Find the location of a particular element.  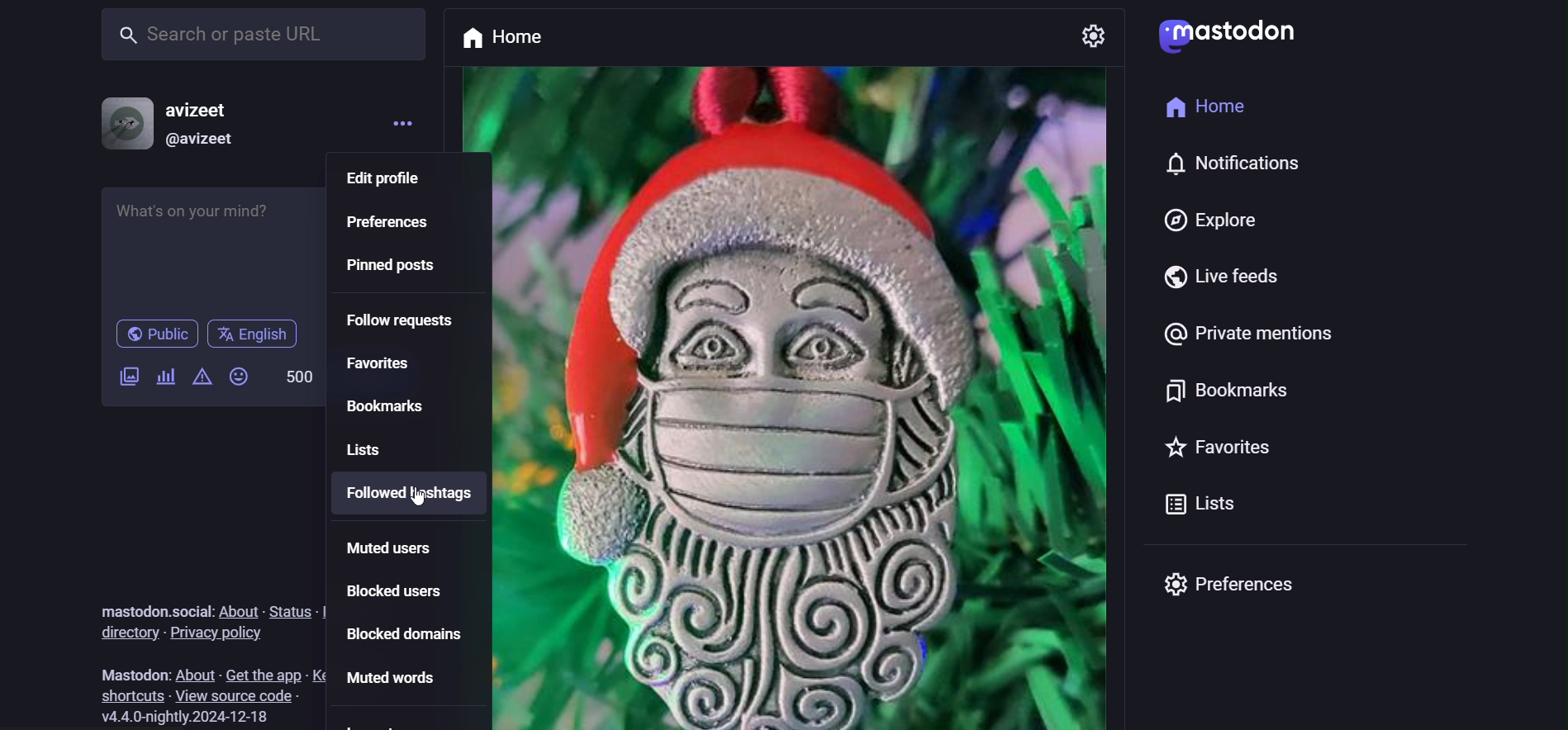

add a poll is located at coordinates (164, 380).